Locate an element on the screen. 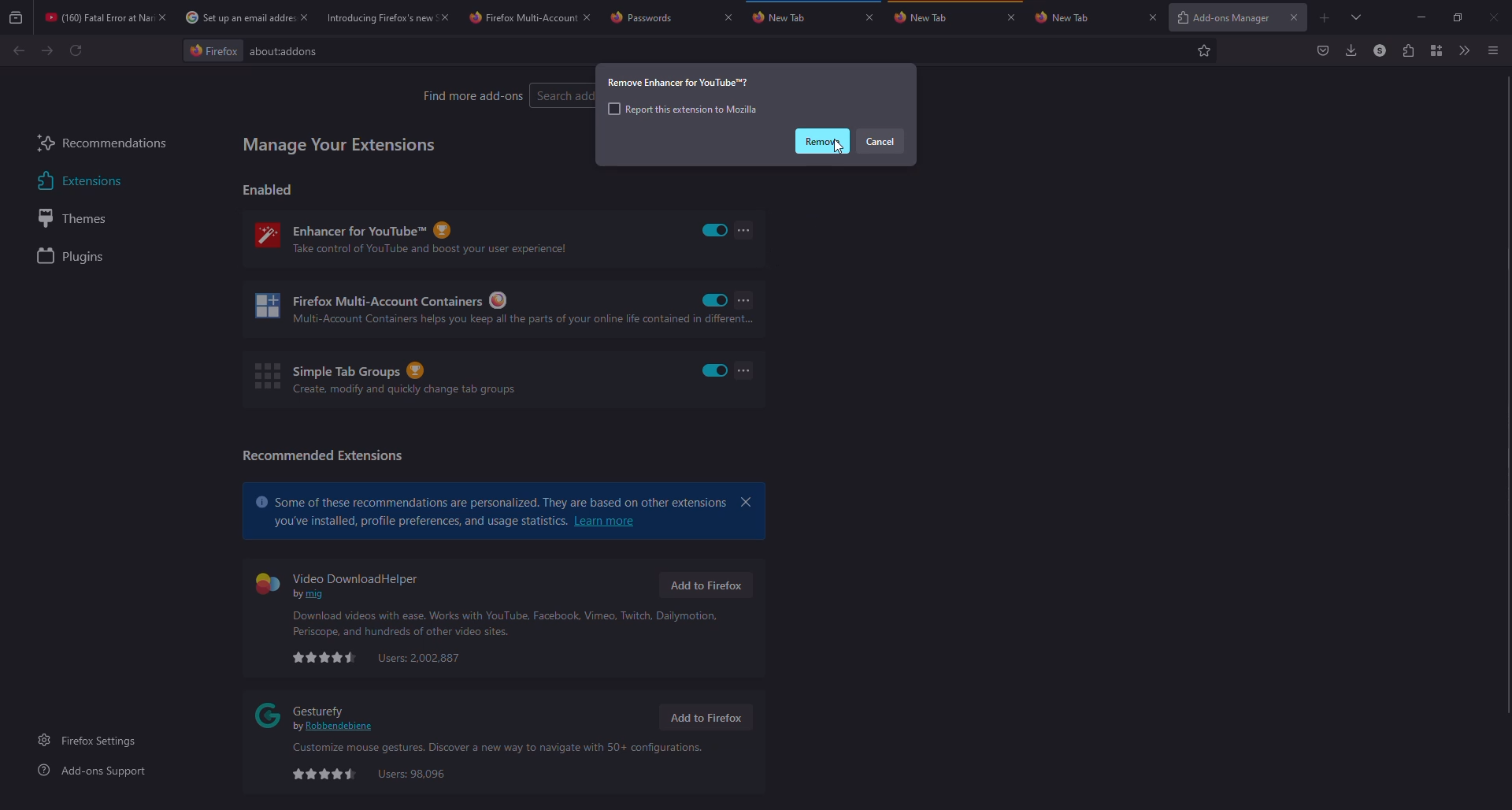 This screenshot has height=810, width=1512. enabled is located at coordinates (715, 370).